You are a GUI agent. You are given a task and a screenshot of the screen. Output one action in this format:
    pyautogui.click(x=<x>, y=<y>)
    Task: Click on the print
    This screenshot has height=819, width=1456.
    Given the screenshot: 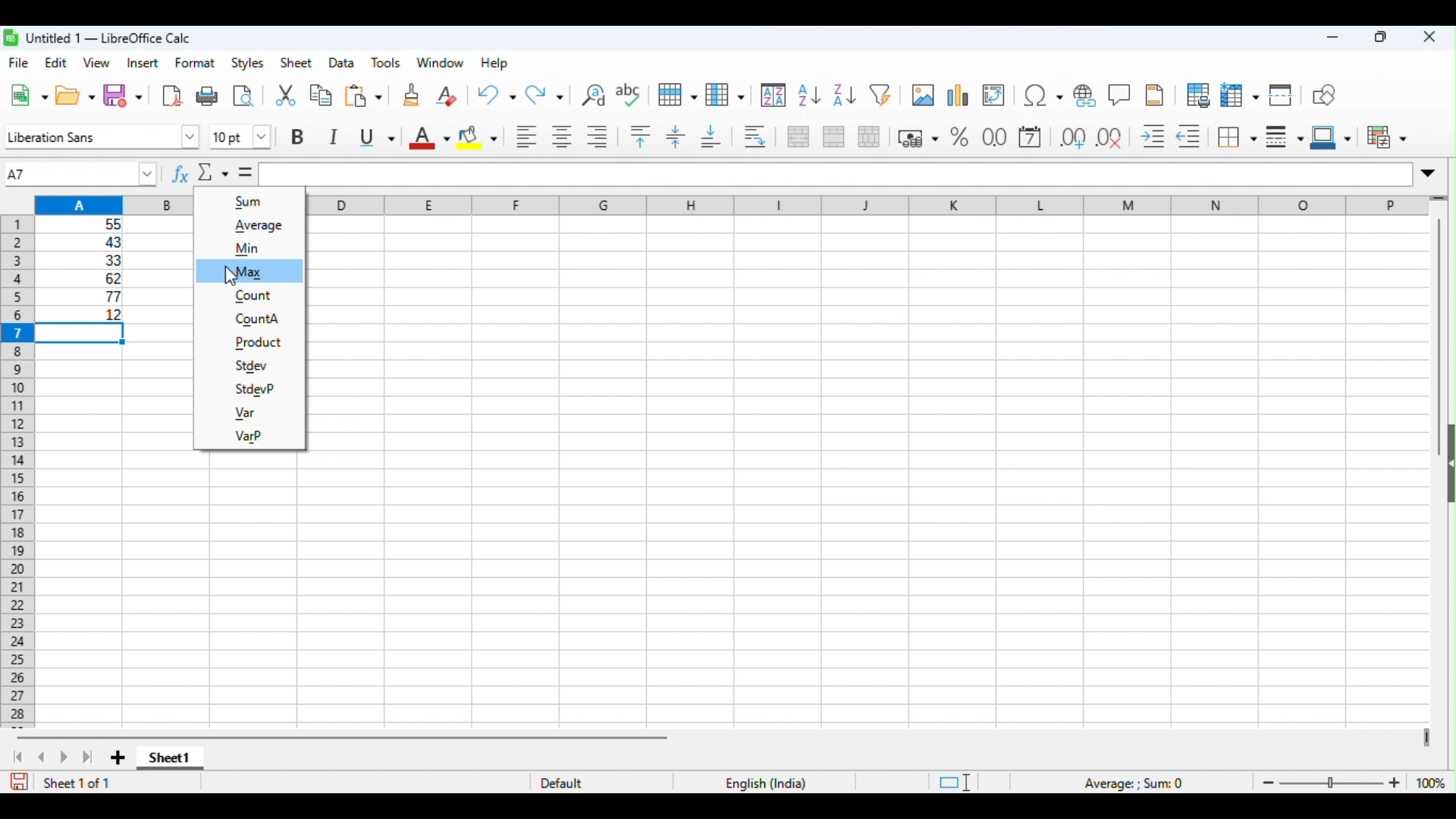 What is the action you would take?
    pyautogui.click(x=208, y=96)
    